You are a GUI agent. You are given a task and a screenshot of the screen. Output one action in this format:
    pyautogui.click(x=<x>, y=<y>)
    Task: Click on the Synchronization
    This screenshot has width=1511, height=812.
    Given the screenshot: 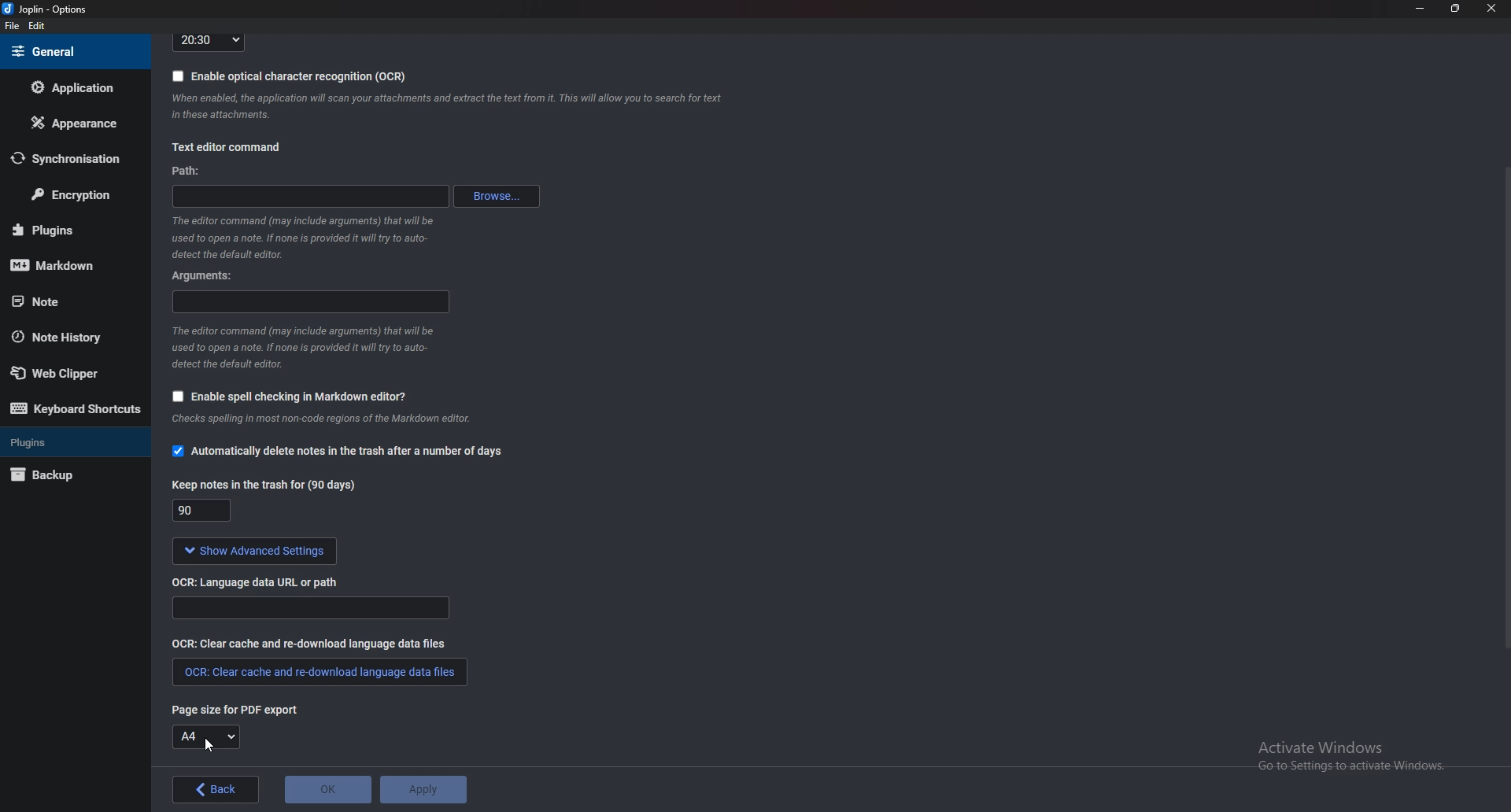 What is the action you would take?
    pyautogui.click(x=66, y=159)
    